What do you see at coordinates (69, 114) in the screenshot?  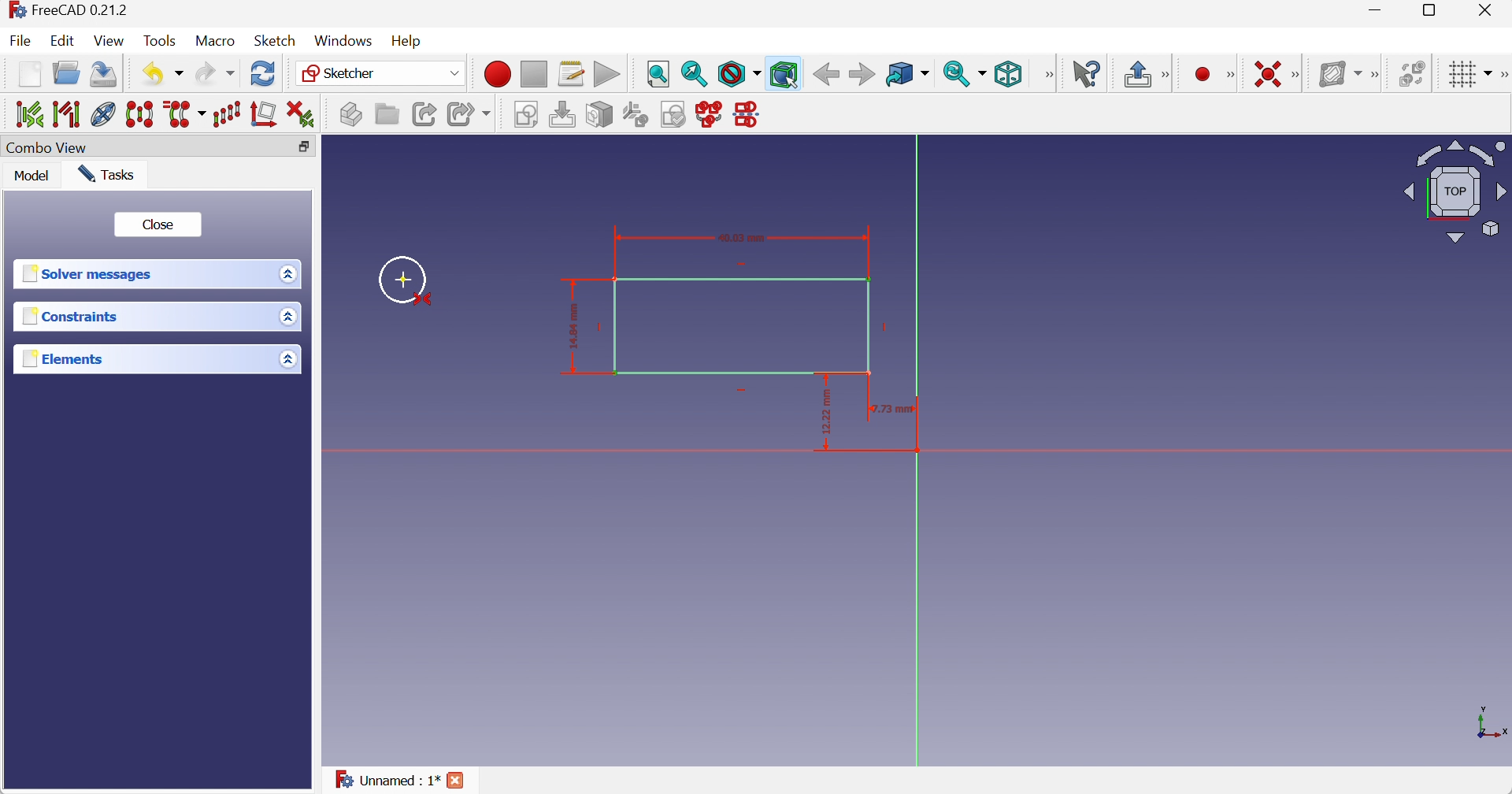 I see `Select associated geometry` at bounding box center [69, 114].